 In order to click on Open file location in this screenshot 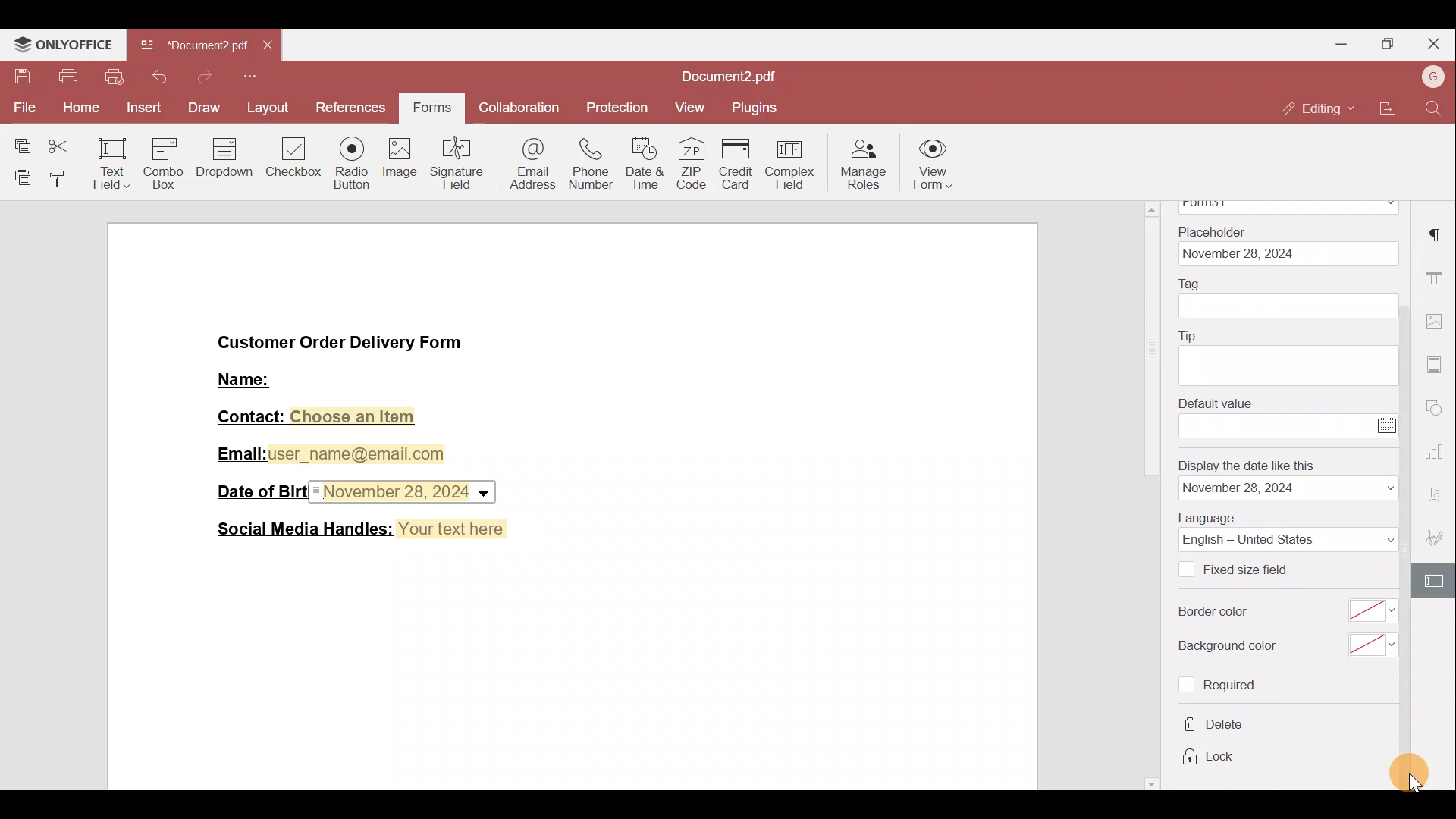, I will do `click(1389, 109)`.